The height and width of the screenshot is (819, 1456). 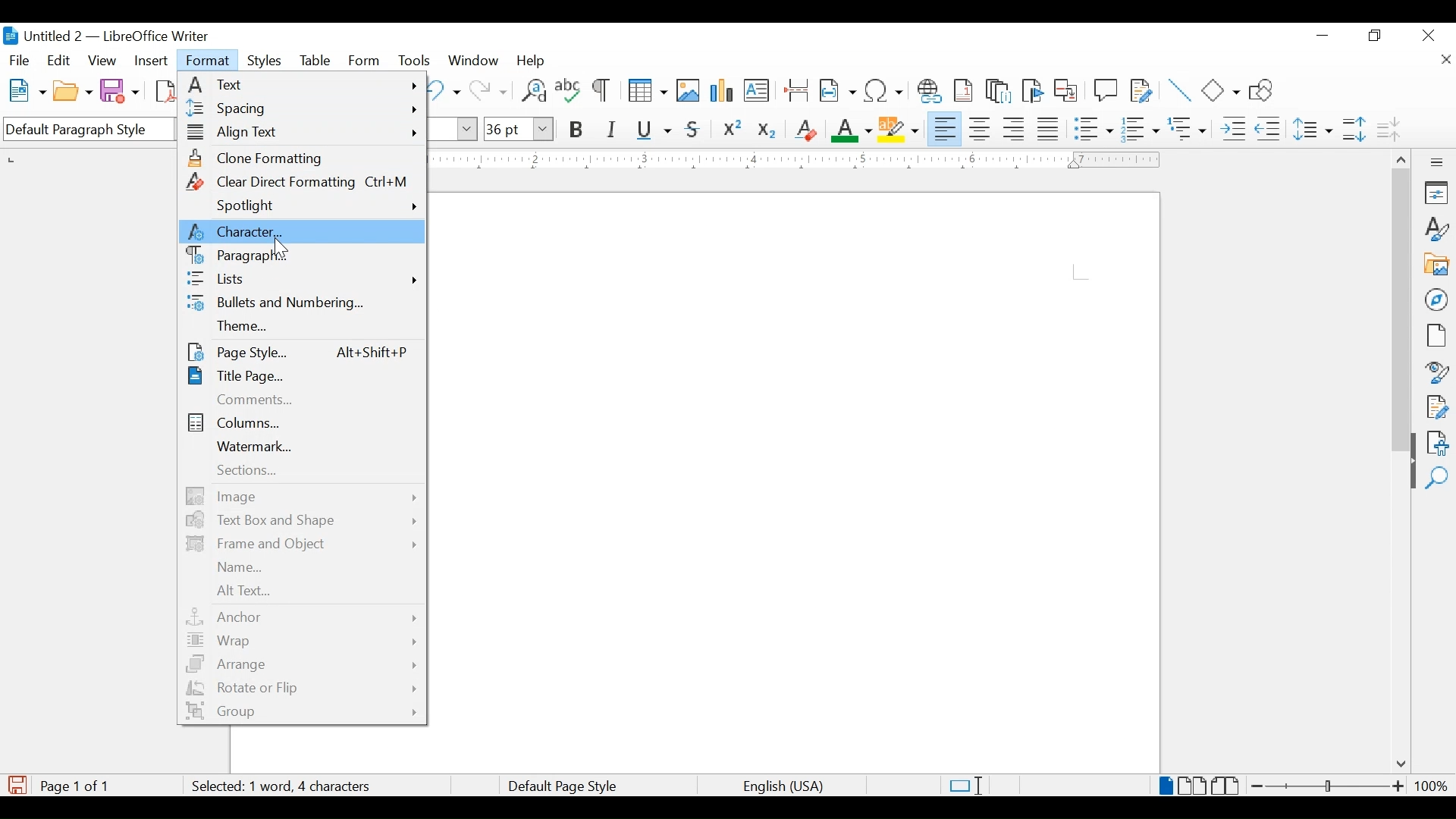 I want to click on single page view, so click(x=1166, y=786).